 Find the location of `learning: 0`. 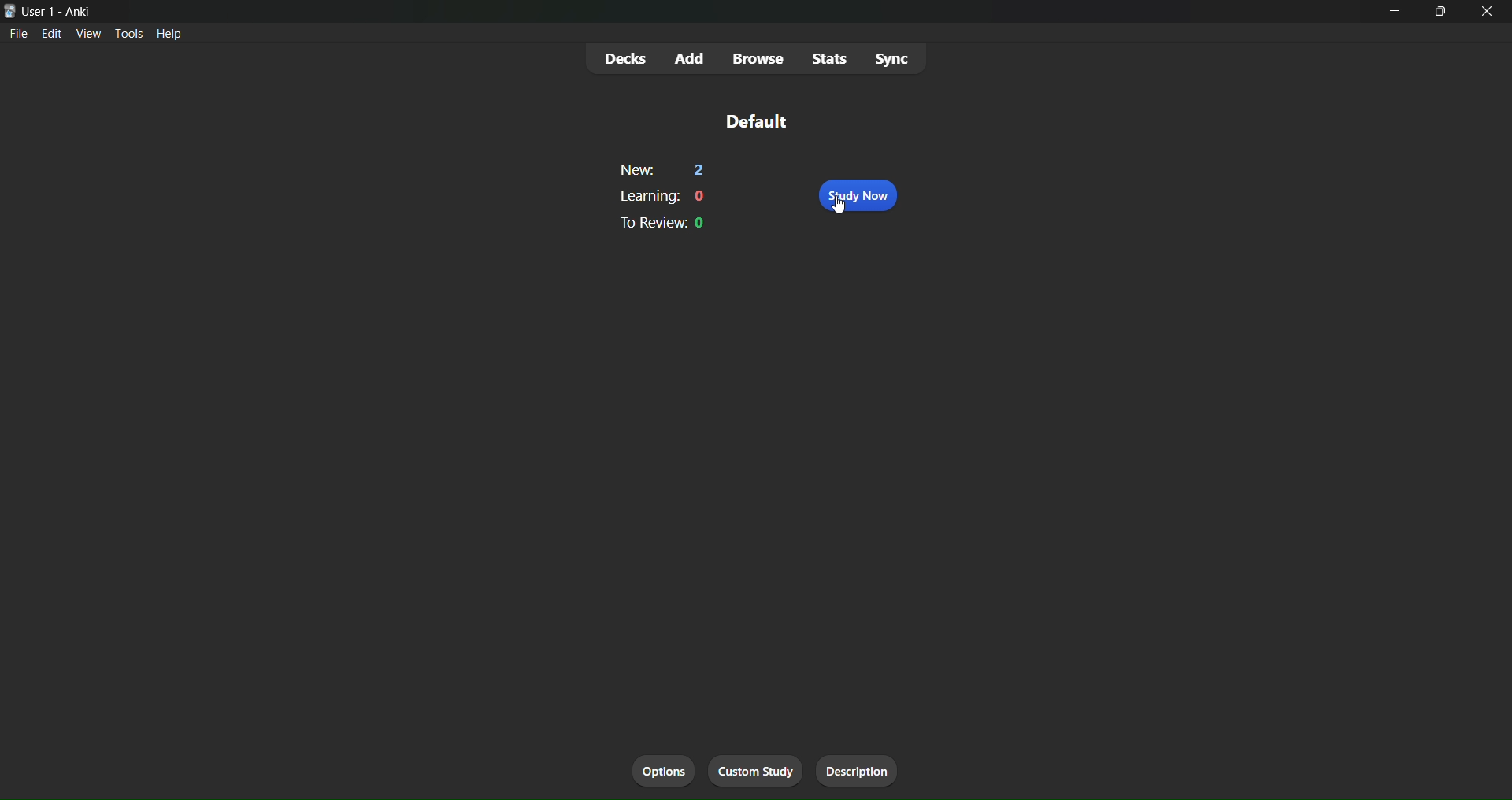

learning: 0 is located at coordinates (654, 197).